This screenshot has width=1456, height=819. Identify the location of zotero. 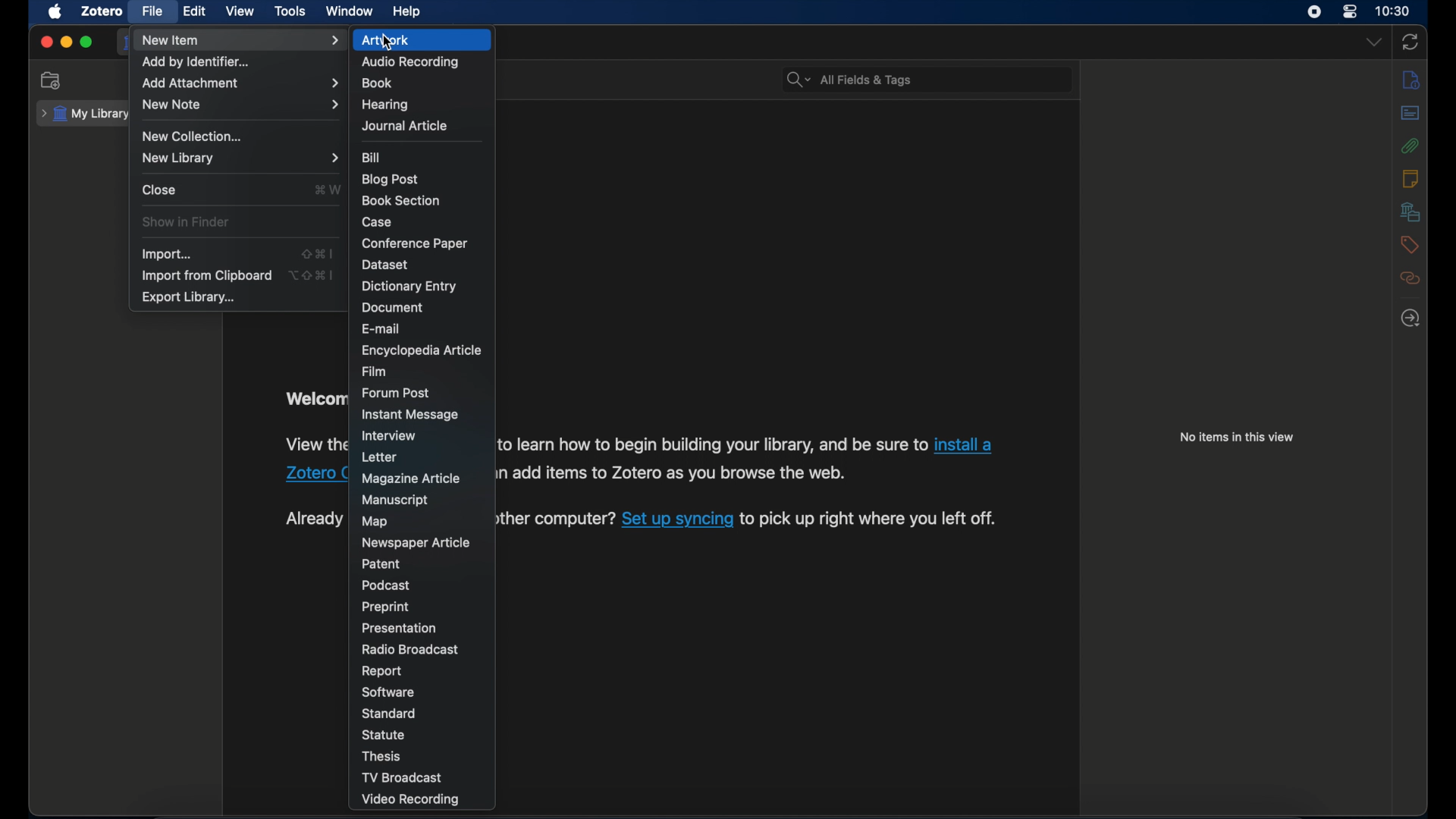
(102, 11).